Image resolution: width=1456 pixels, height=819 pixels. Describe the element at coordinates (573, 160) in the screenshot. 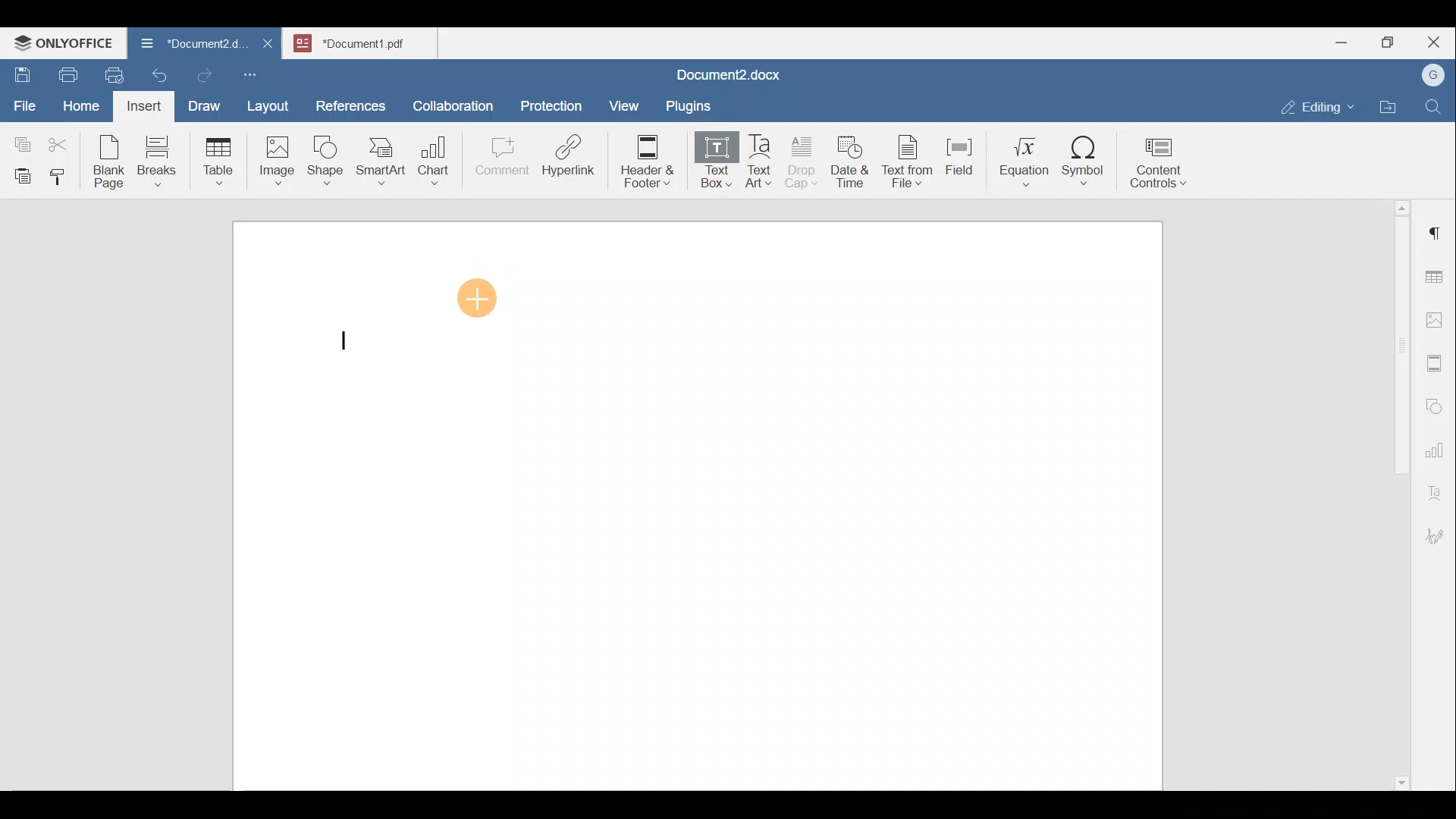

I see `Hyperlink` at that location.